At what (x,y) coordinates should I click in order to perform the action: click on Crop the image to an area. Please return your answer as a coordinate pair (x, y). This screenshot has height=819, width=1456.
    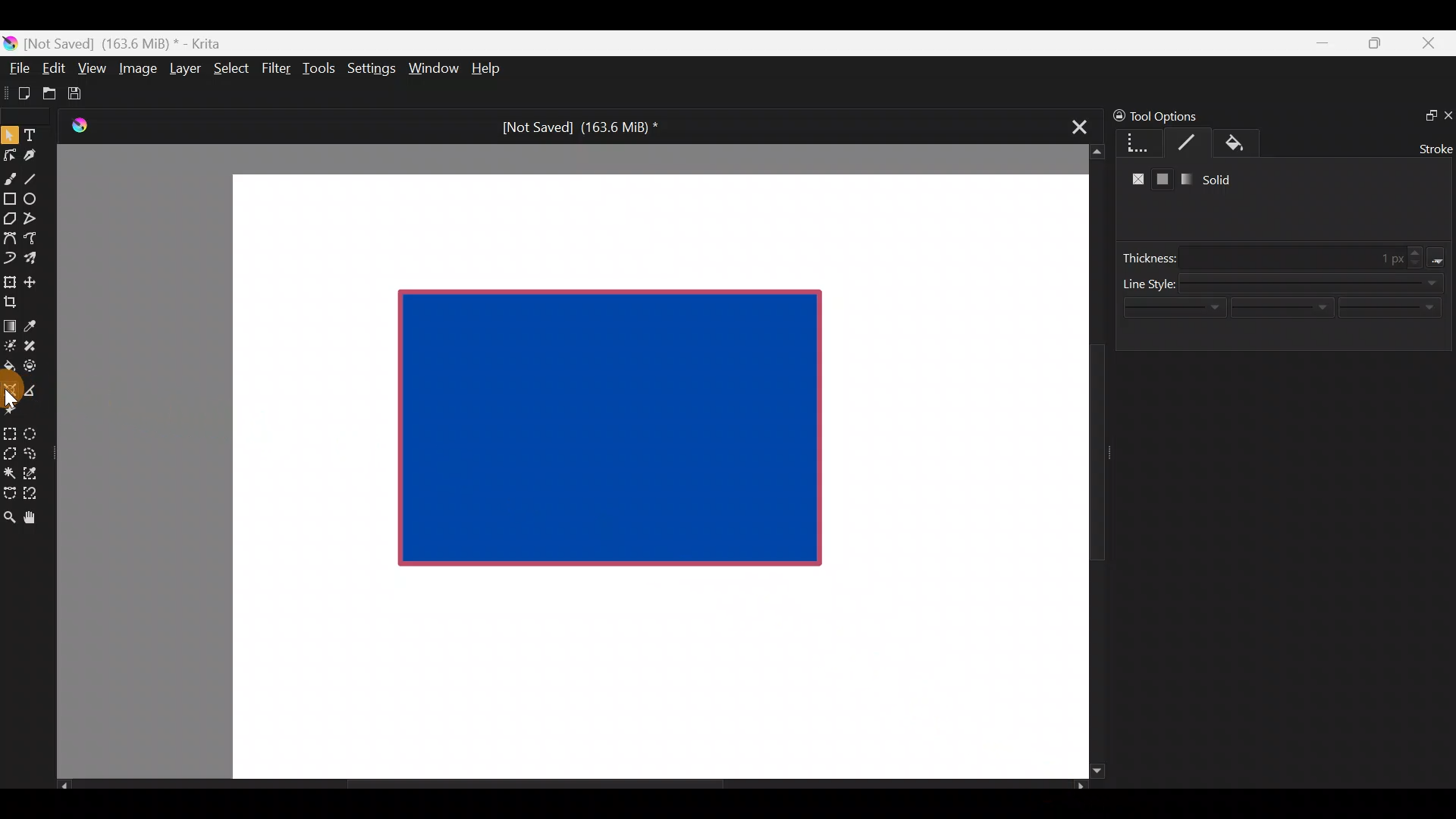
    Looking at the image, I should click on (15, 301).